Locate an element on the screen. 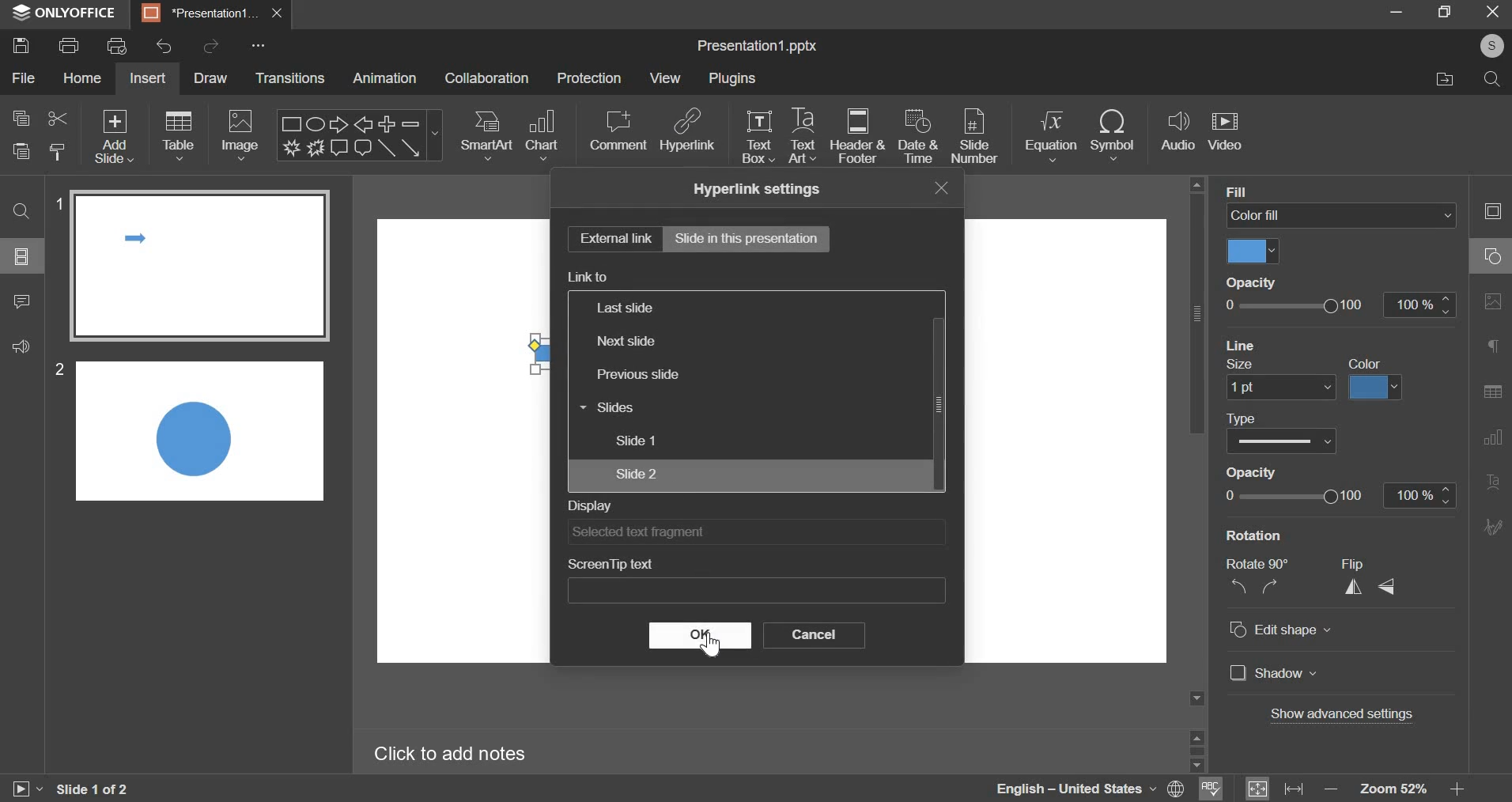 The width and height of the screenshot is (1512, 802). Left arrow is located at coordinates (364, 123).